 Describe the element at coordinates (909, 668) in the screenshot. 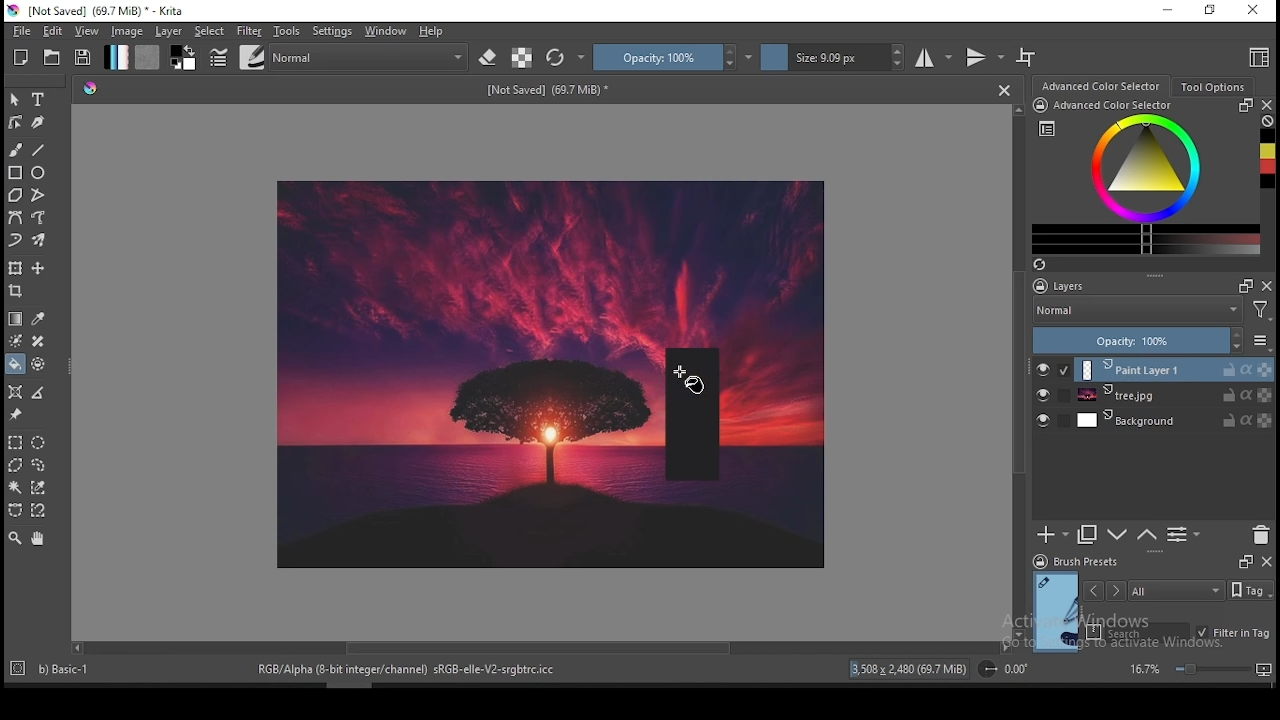

I see `13,508 x 2,480 (68.1 MiB)` at that location.